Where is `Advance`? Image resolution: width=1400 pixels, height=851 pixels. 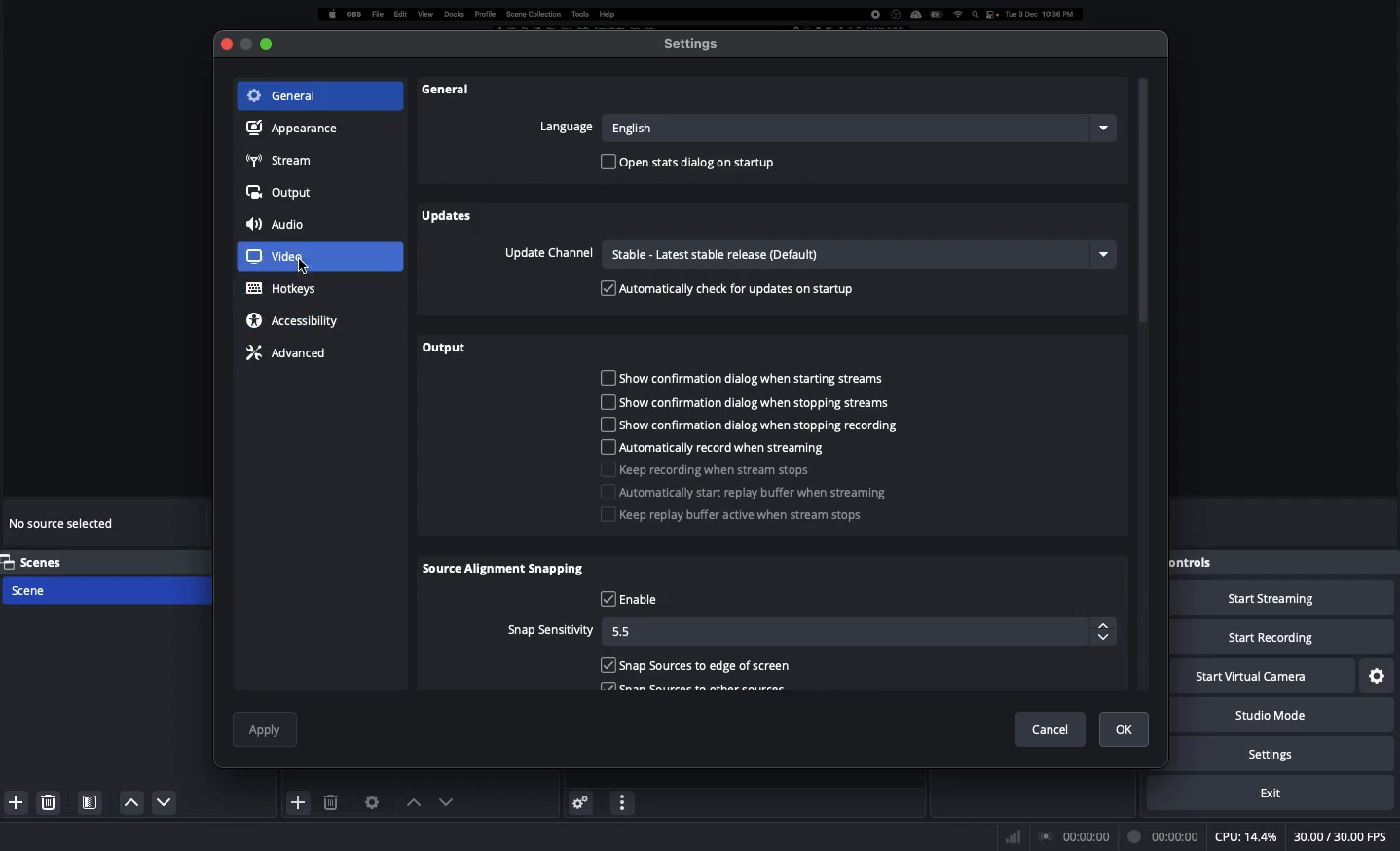 Advance is located at coordinates (289, 351).